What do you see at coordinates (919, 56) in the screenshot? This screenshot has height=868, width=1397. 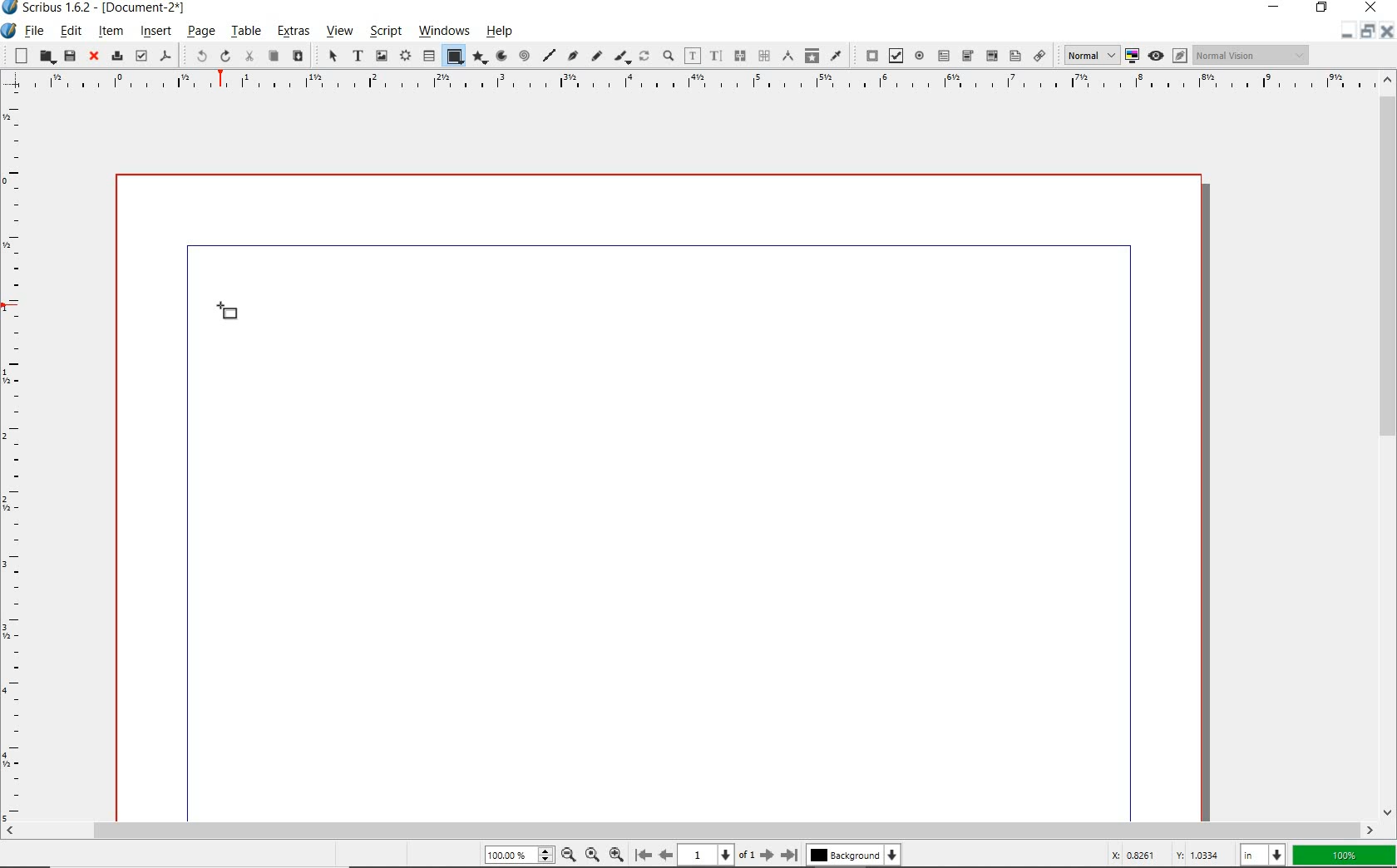 I see `pdf radio button` at bounding box center [919, 56].